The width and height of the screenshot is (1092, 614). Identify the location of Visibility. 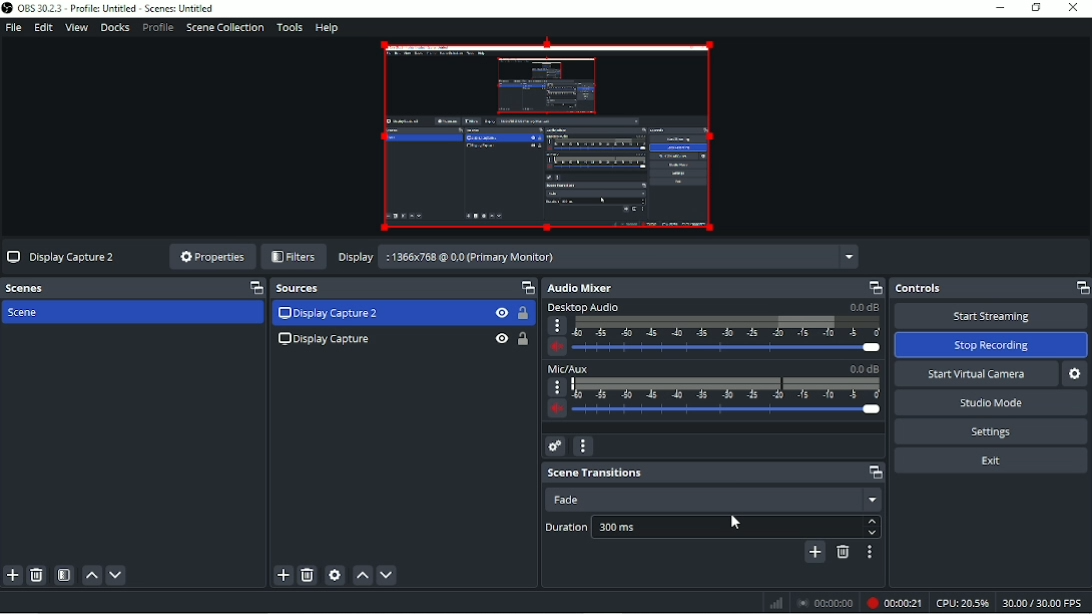
(502, 312).